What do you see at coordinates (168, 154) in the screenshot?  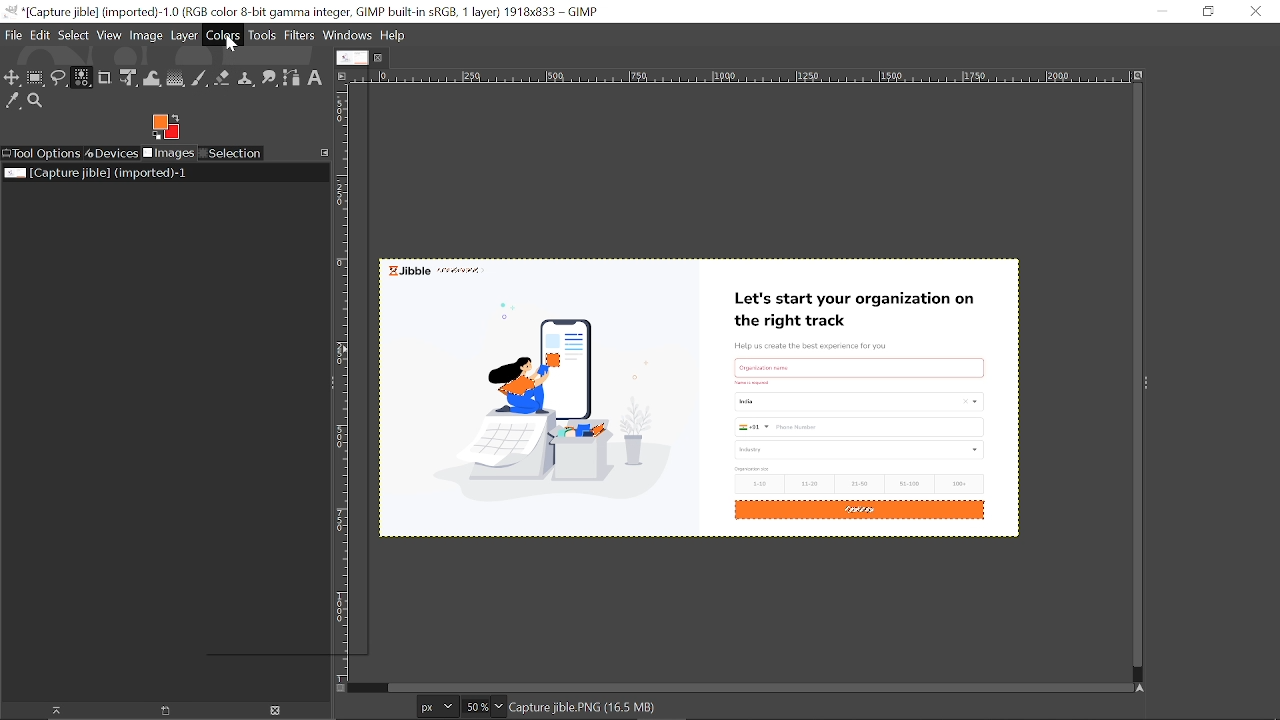 I see `Images` at bounding box center [168, 154].